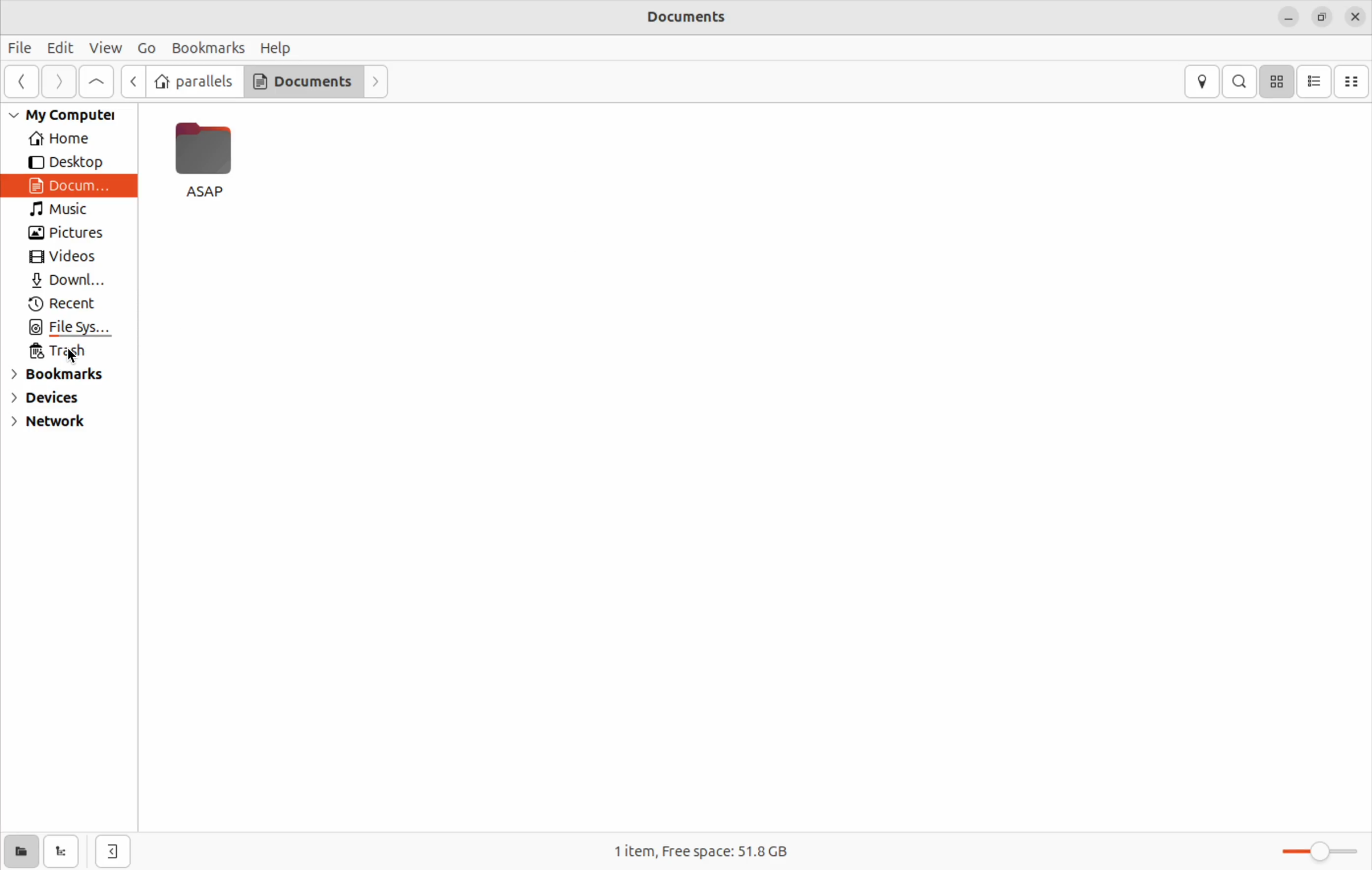 Image resolution: width=1372 pixels, height=870 pixels. Describe the element at coordinates (280, 48) in the screenshot. I see `Help` at that location.